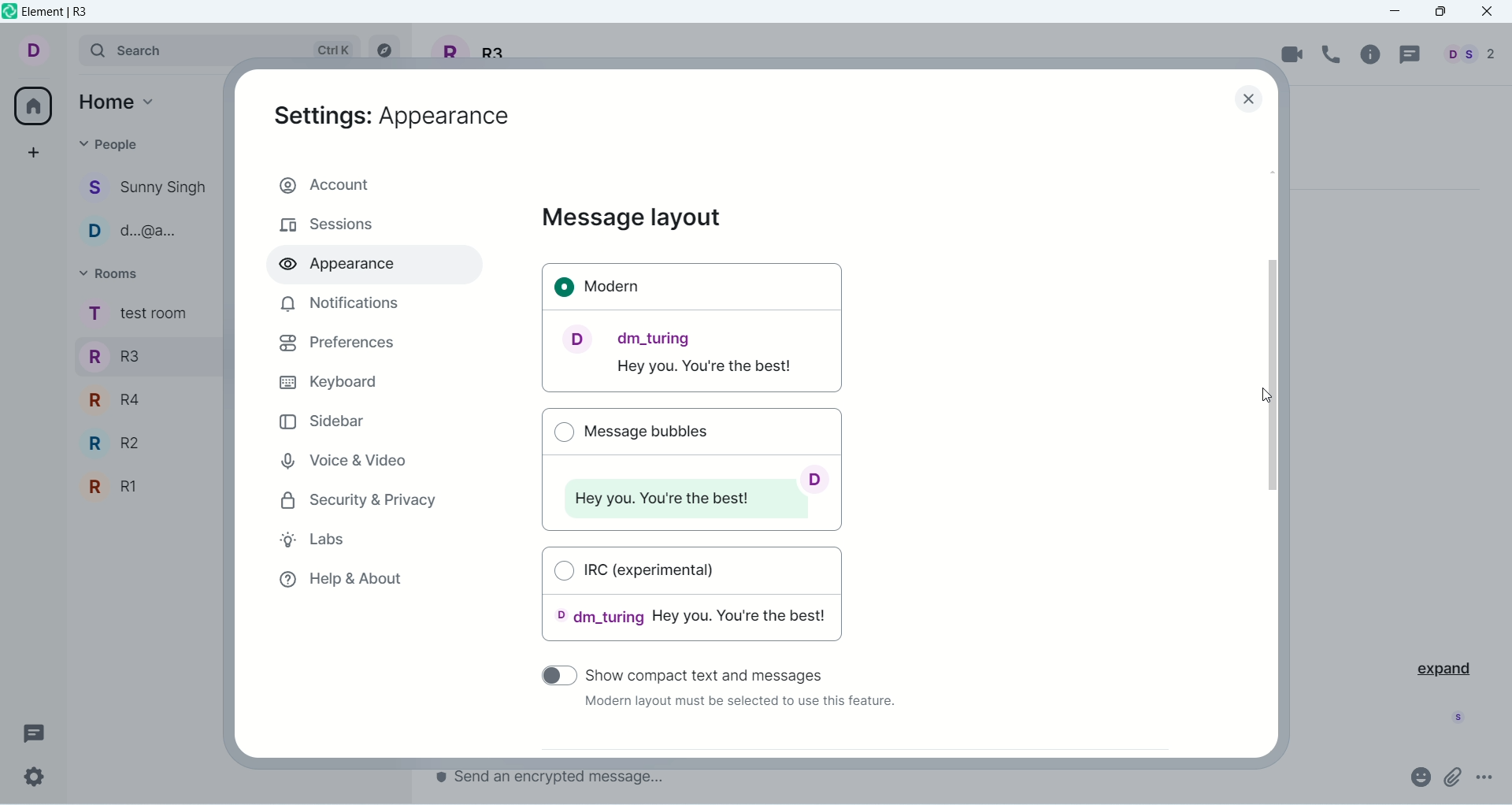 The height and width of the screenshot is (805, 1512). Describe the element at coordinates (112, 143) in the screenshot. I see `people` at that location.